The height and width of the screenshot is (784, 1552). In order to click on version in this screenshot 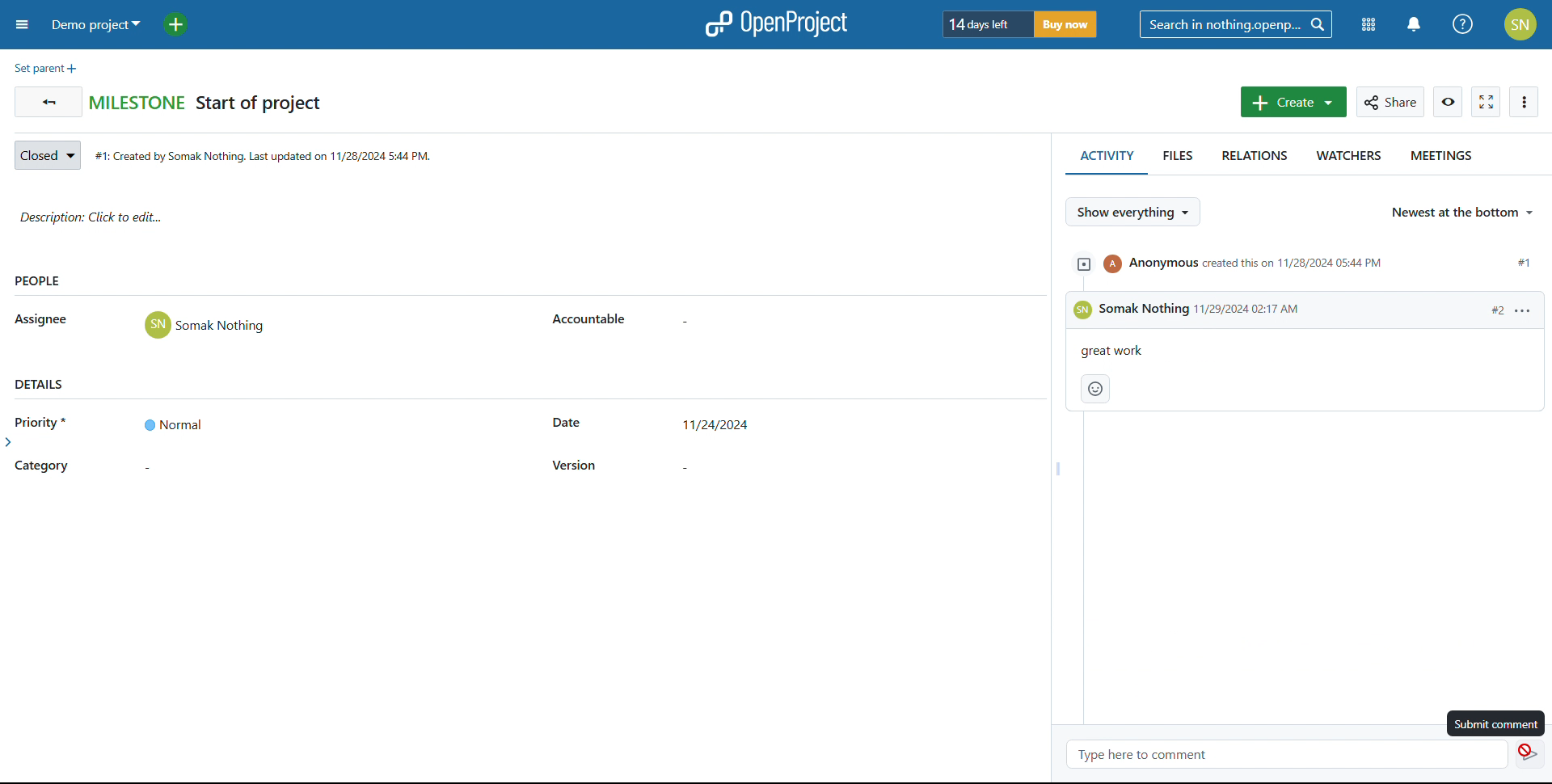, I will do `click(576, 466)`.